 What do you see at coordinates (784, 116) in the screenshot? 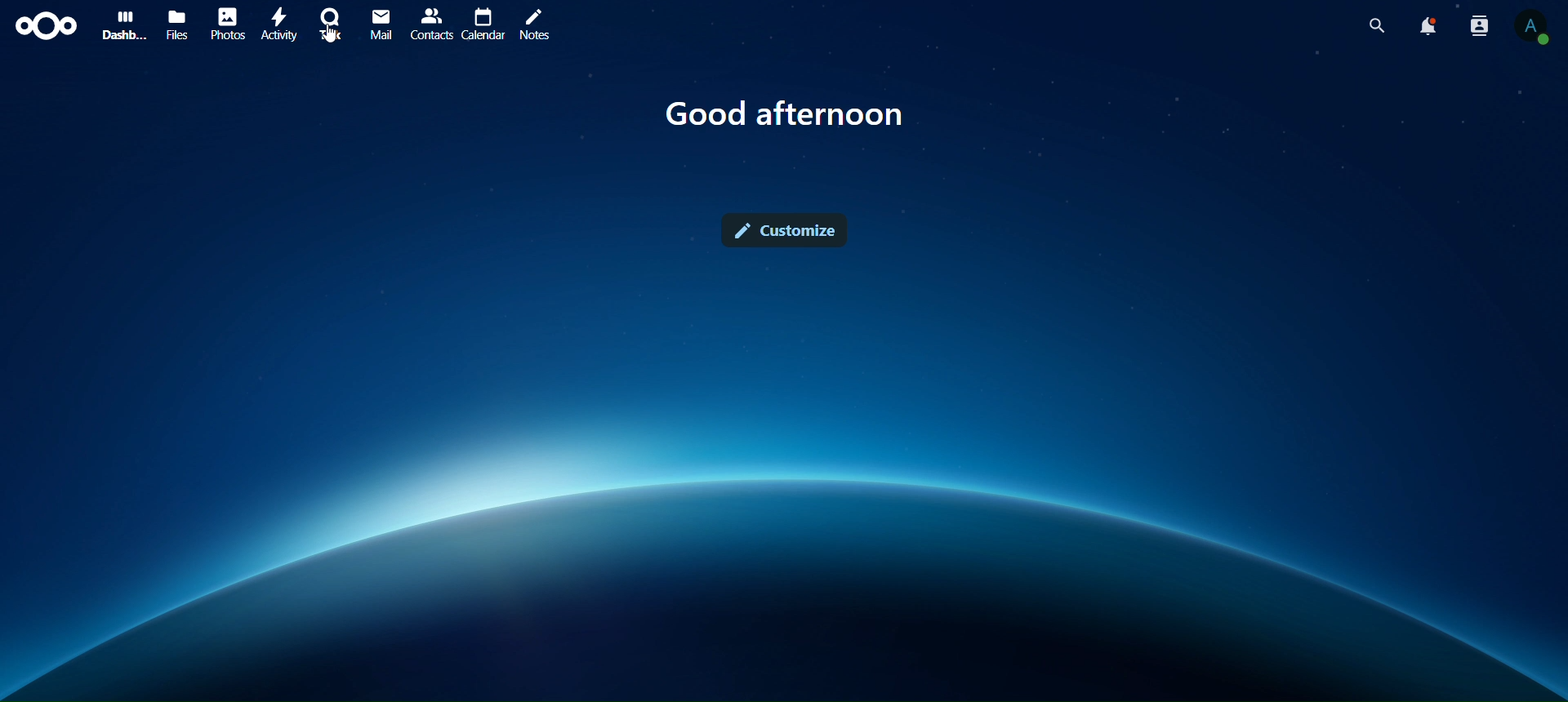
I see `good afternoon` at bounding box center [784, 116].